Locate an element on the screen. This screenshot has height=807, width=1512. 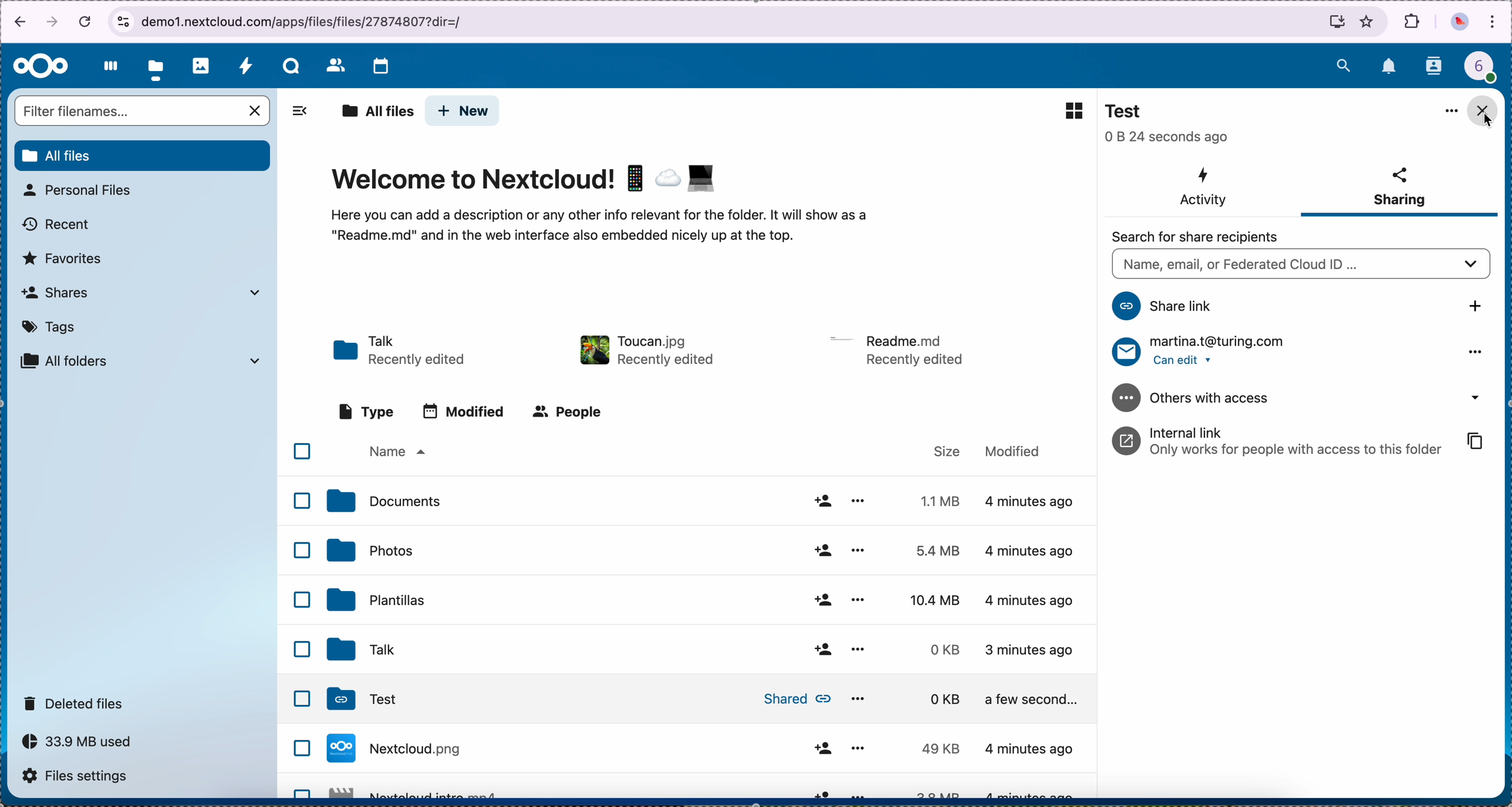
search name, email or icloud ID is located at coordinates (1300, 265).